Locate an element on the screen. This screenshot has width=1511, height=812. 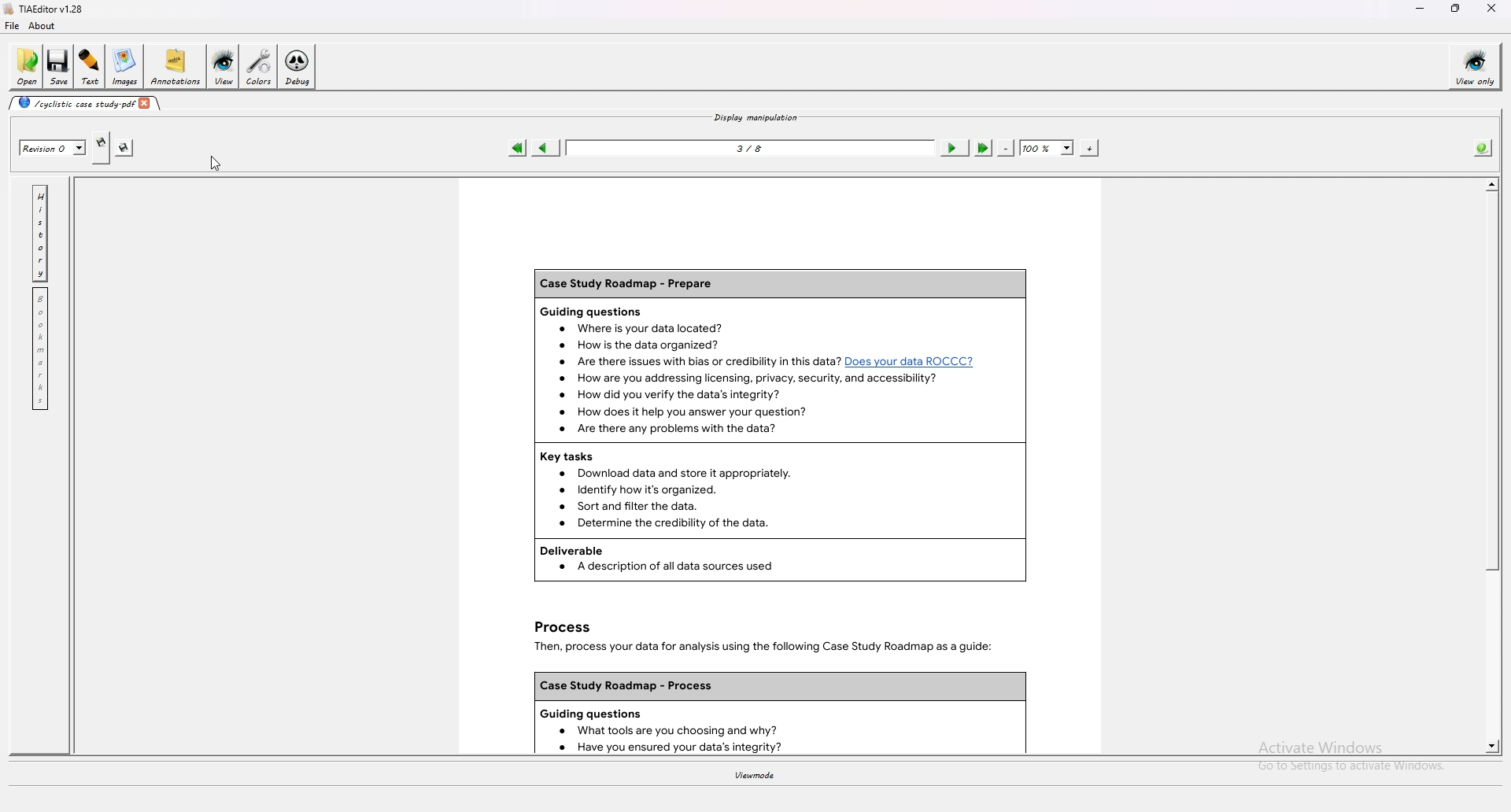
save this revision is located at coordinates (123, 148).